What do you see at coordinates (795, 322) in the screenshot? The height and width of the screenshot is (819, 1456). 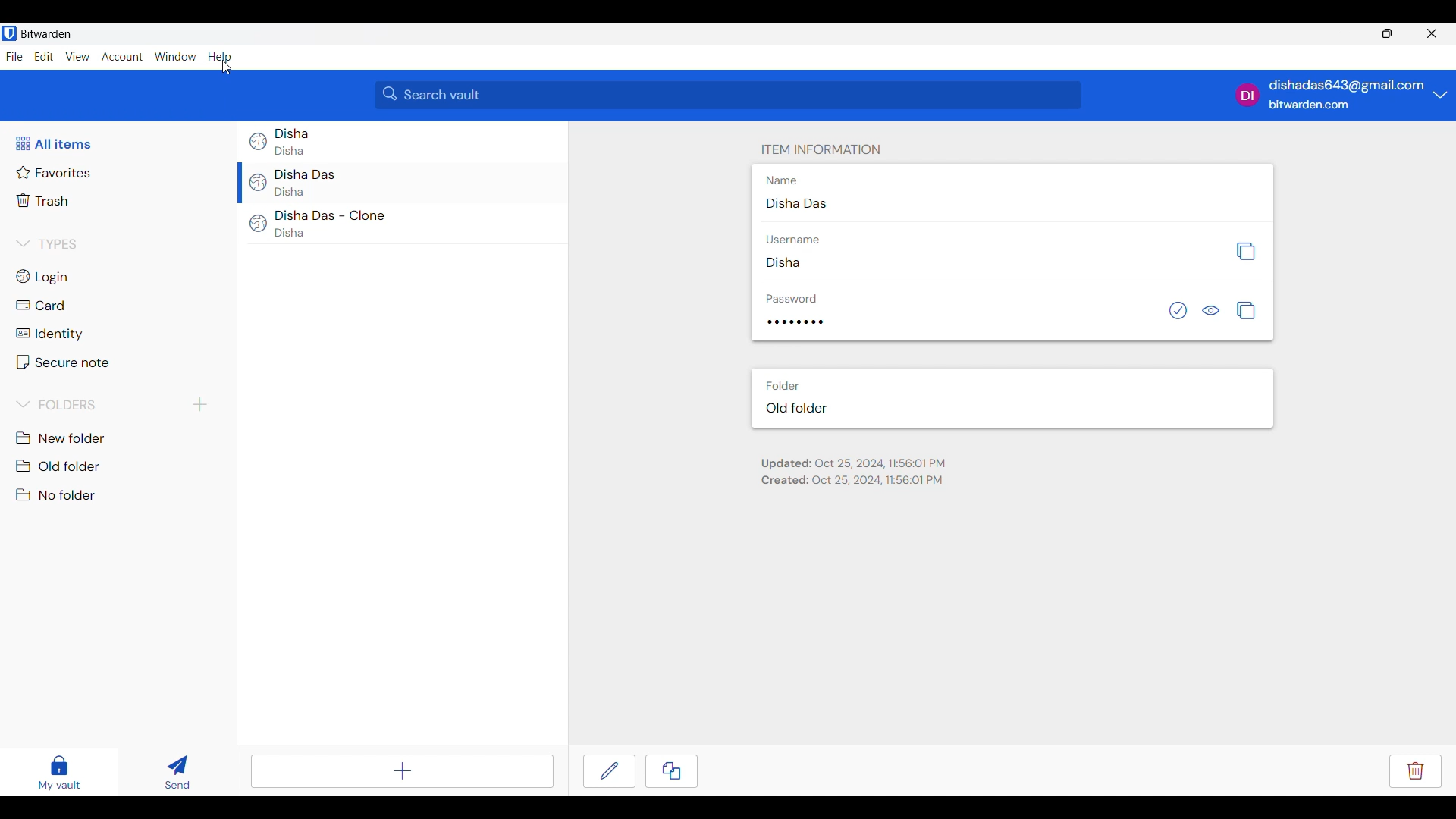 I see `Encrypted password` at bounding box center [795, 322].